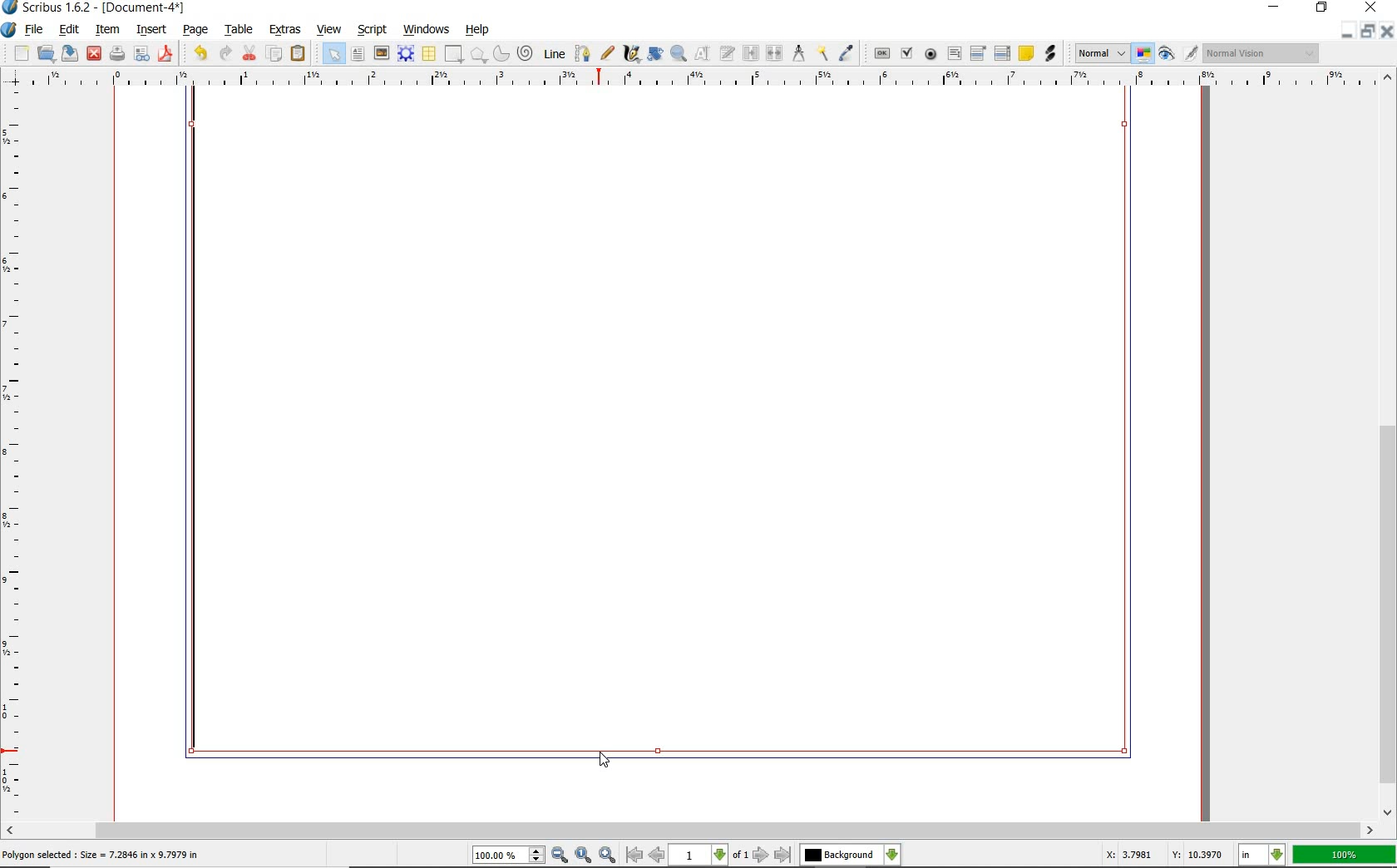 The image size is (1397, 868). Describe the element at coordinates (197, 31) in the screenshot. I see `page` at that location.